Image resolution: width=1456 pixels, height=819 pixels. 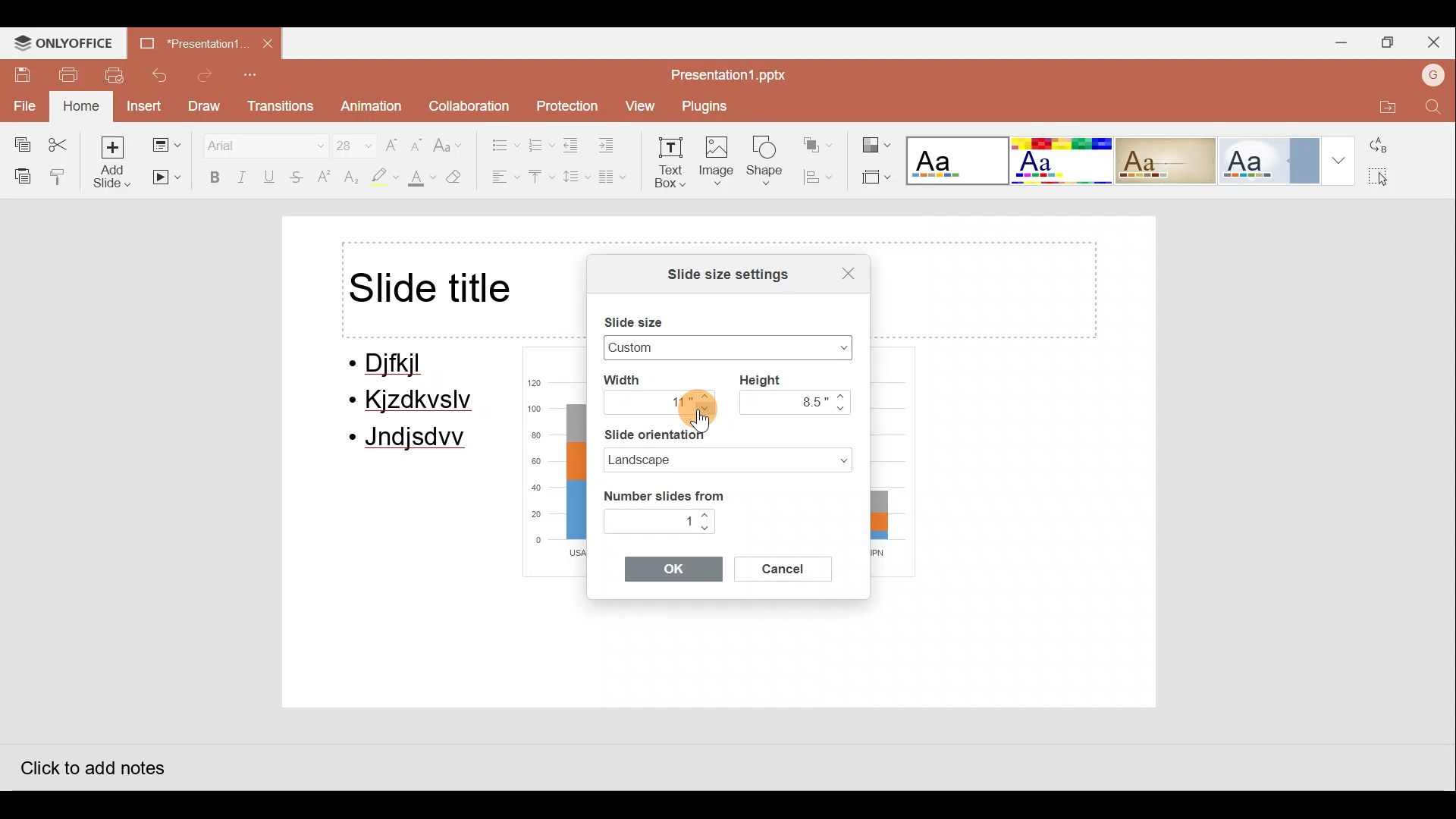 What do you see at coordinates (679, 347) in the screenshot?
I see `Widescreen` at bounding box center [679, 347].